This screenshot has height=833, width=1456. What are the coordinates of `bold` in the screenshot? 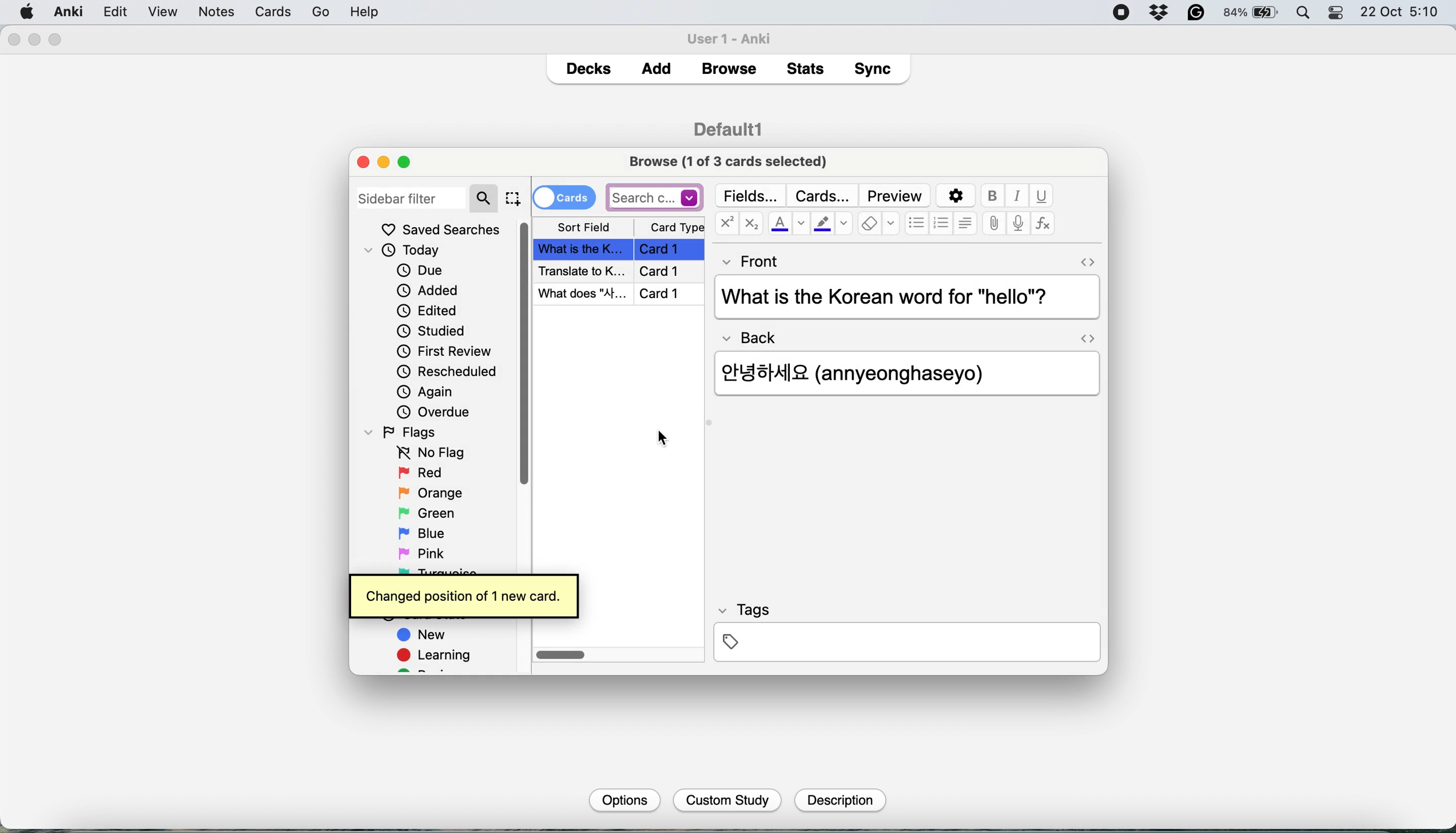 It's located at (995, 196).